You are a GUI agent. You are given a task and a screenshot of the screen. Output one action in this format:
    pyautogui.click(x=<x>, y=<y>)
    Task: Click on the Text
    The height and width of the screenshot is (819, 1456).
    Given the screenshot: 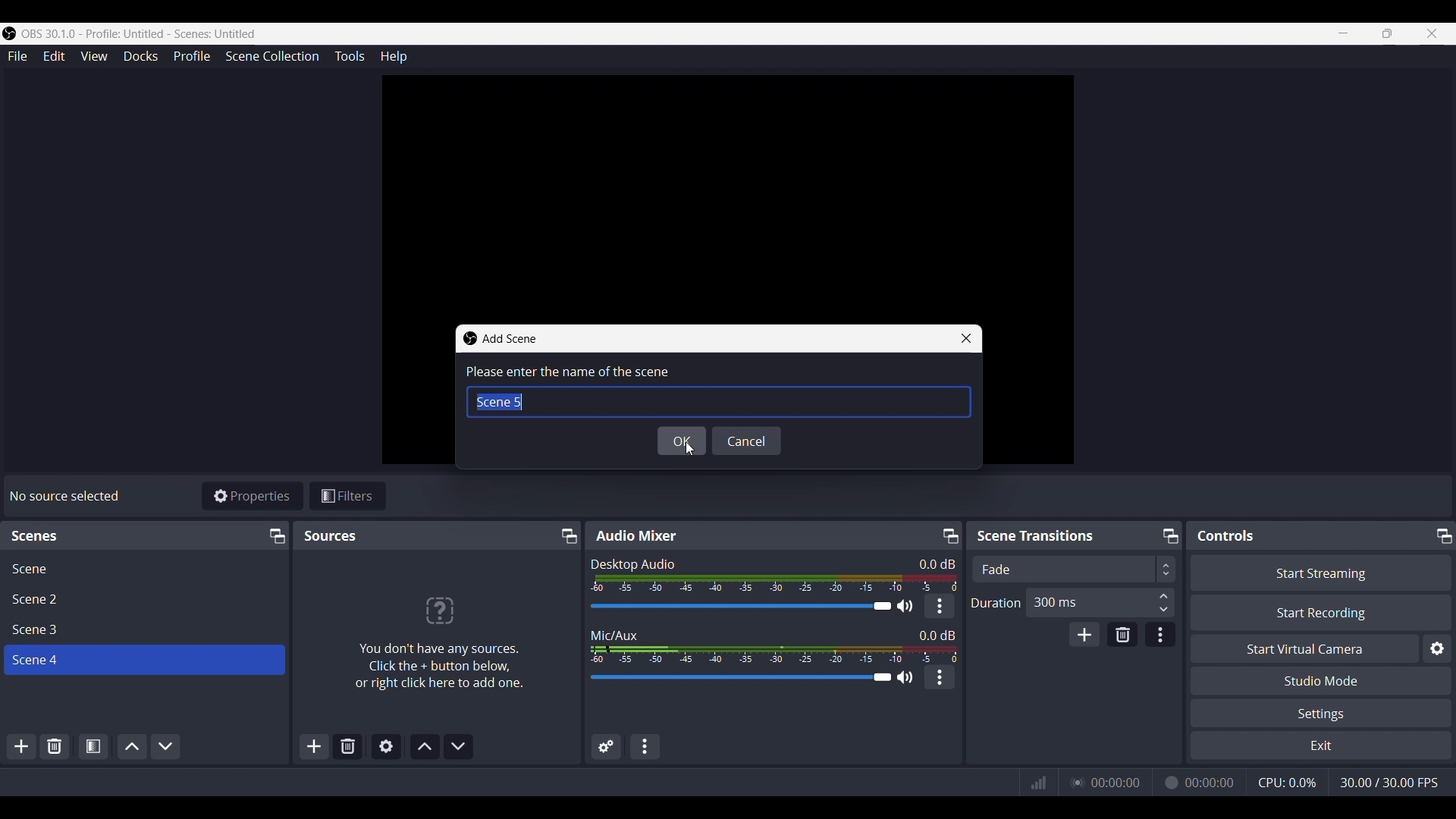 What is the action you would take?
    pyautogui.click(x=64, y=497)
    